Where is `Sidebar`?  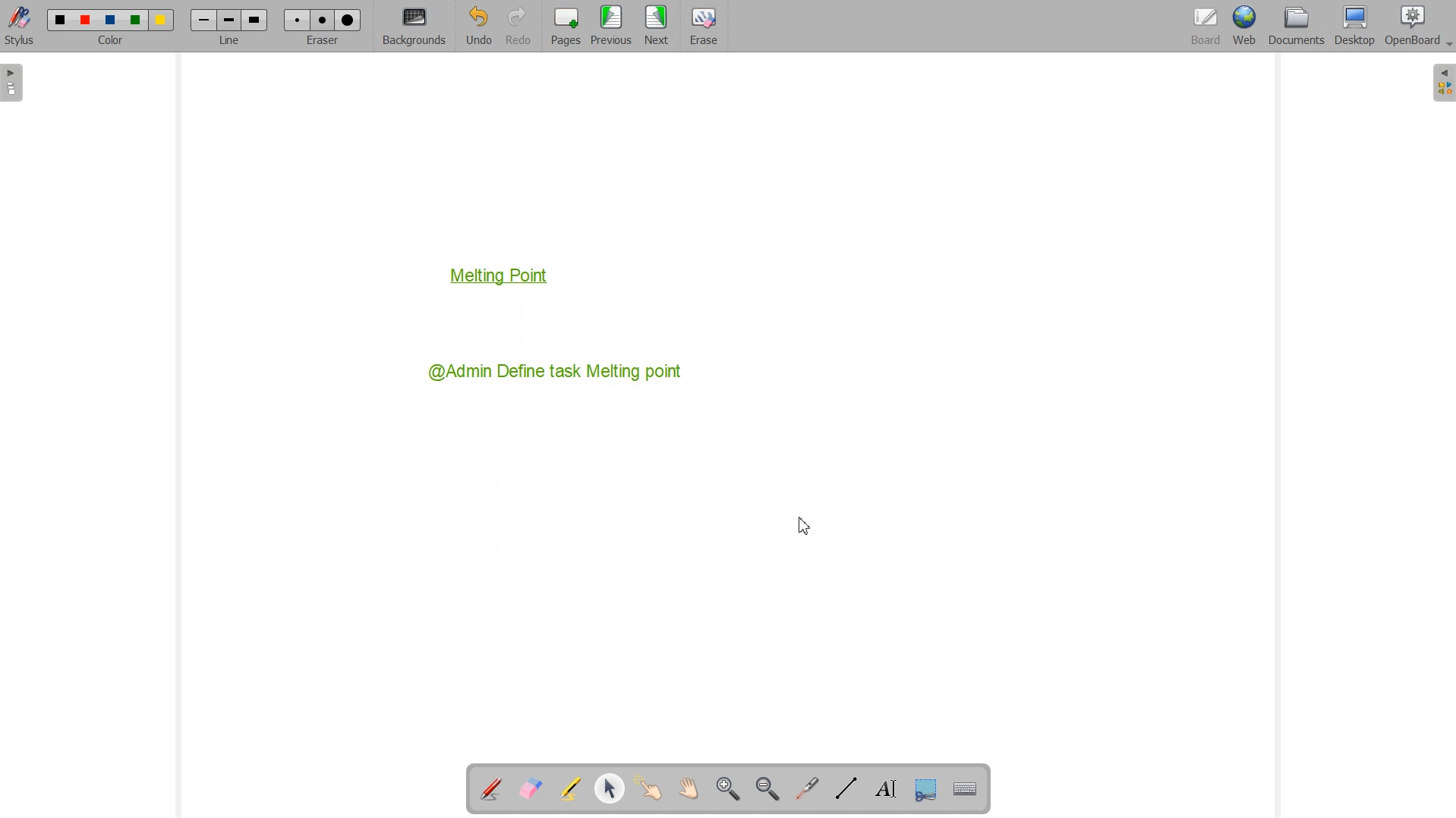
Sidebar is located at coordinates (1442, 83).